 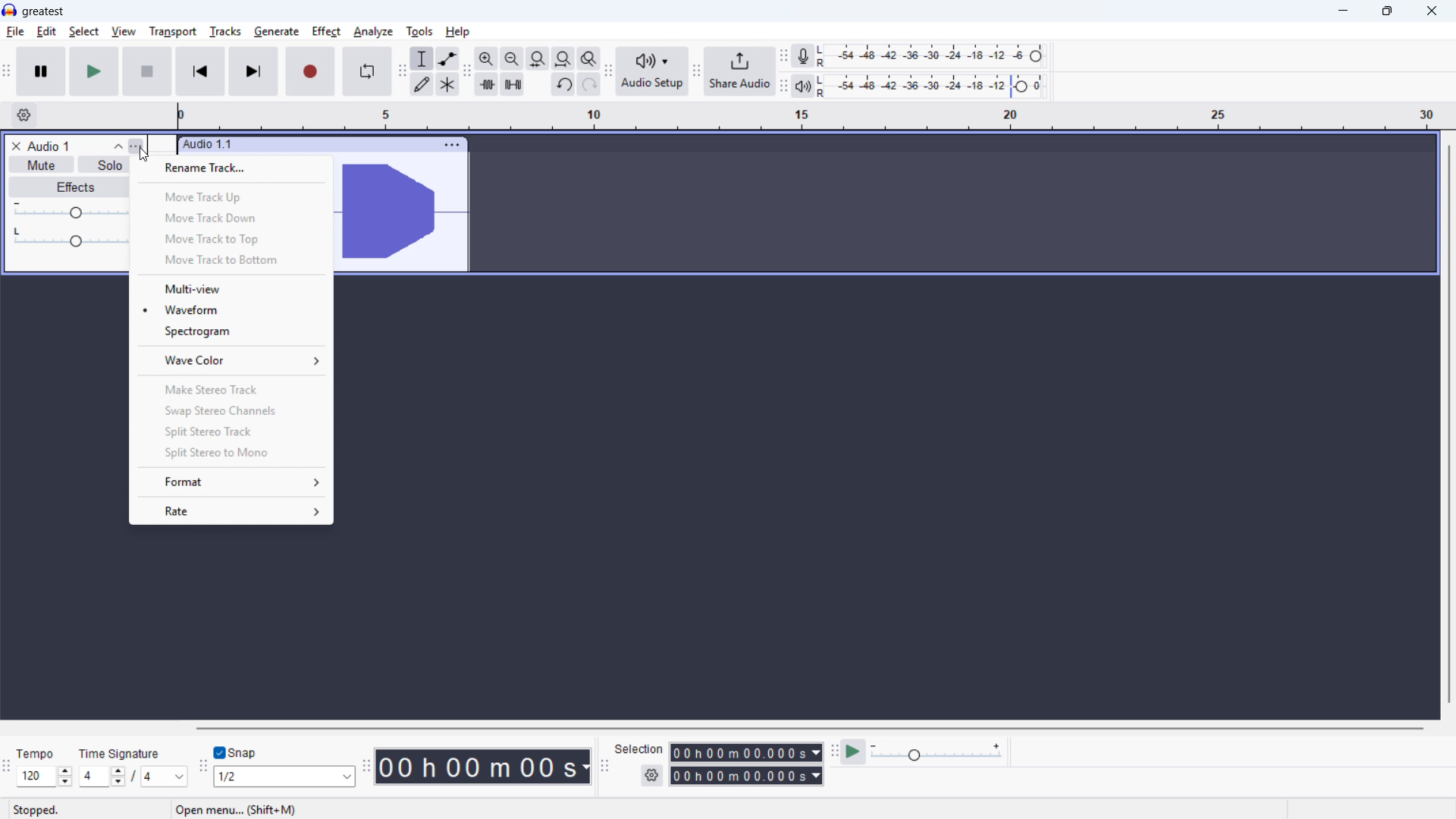 I want to click on Rename track , so click(x=231, y=168).